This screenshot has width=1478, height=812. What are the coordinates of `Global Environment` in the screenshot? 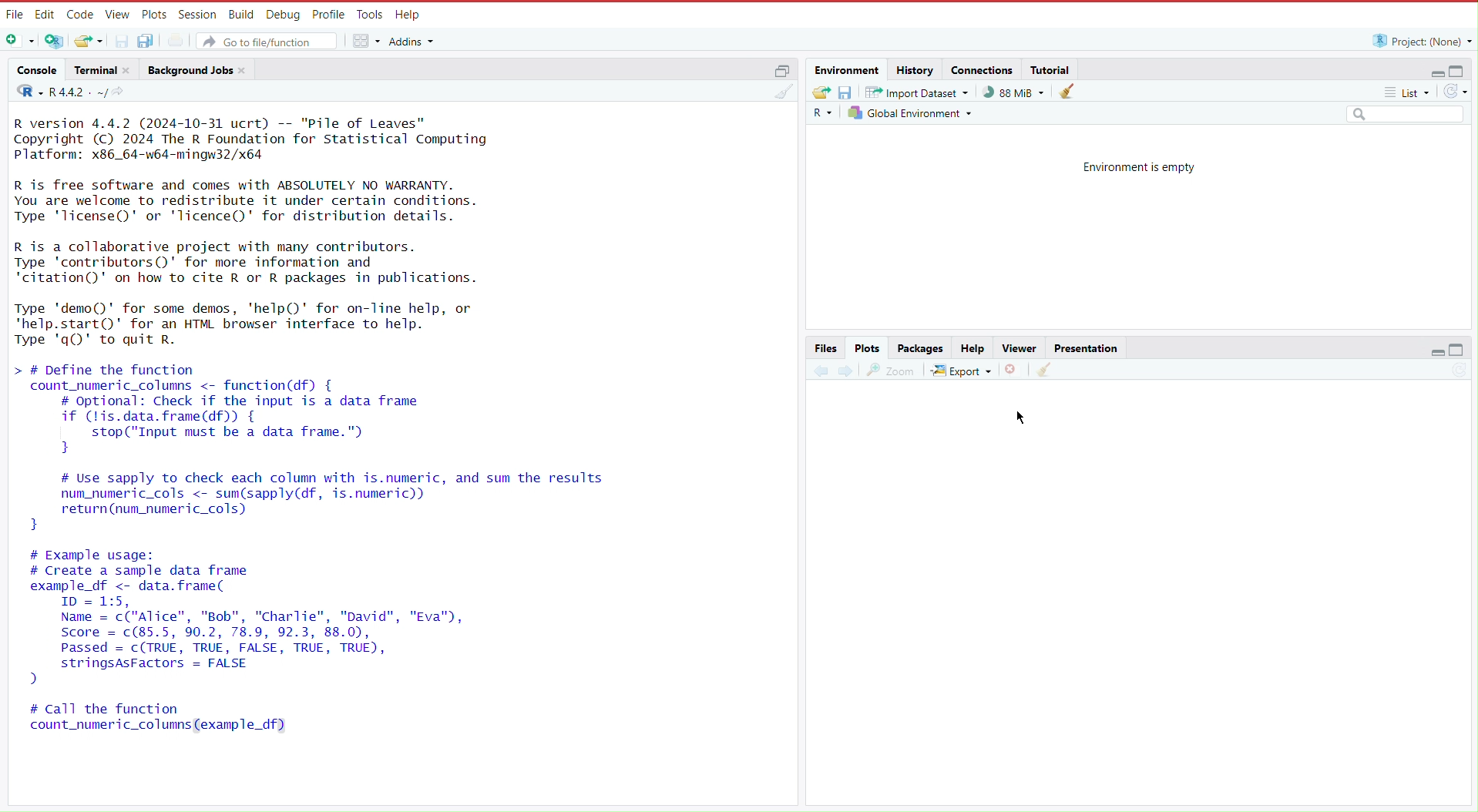 It's located at (912, 112).